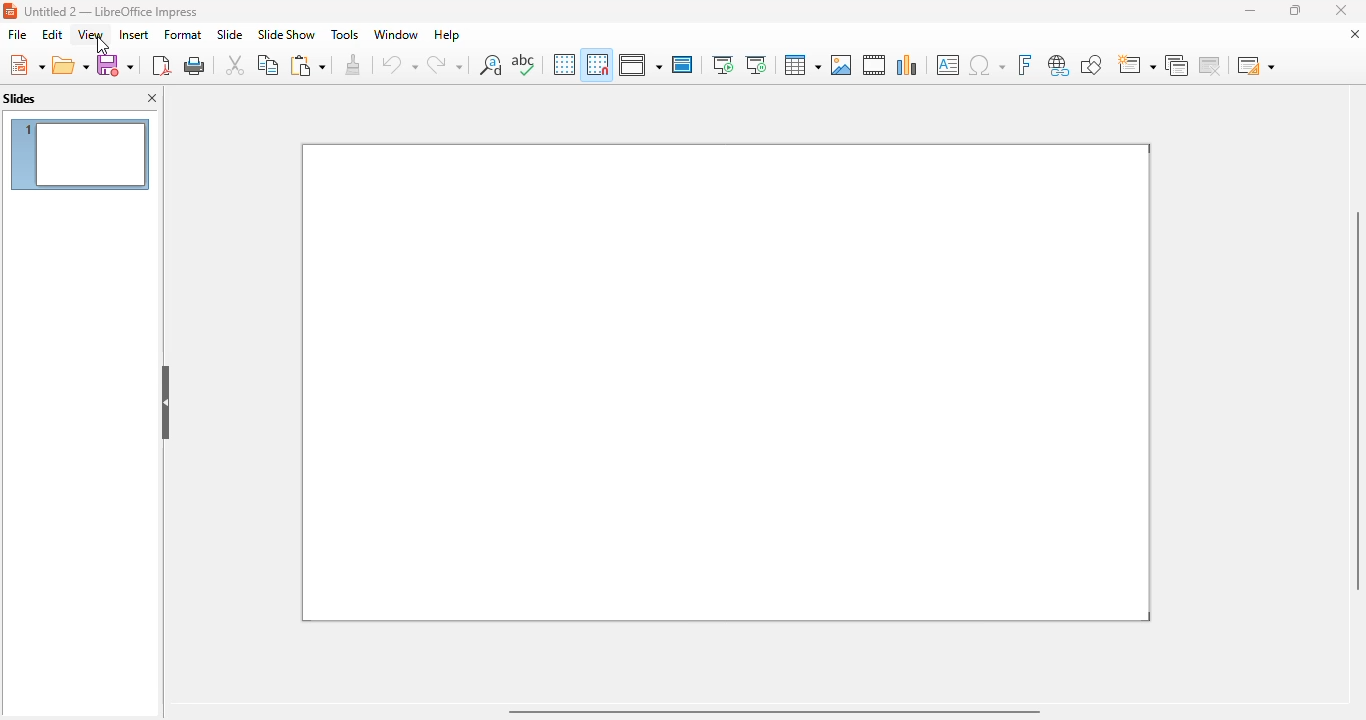 The image size is (1366, 720). What do you see at coordinates (1354, 400) in the screenshot?
I see `vertical scroll bar` at bounding box center [1354, 400].